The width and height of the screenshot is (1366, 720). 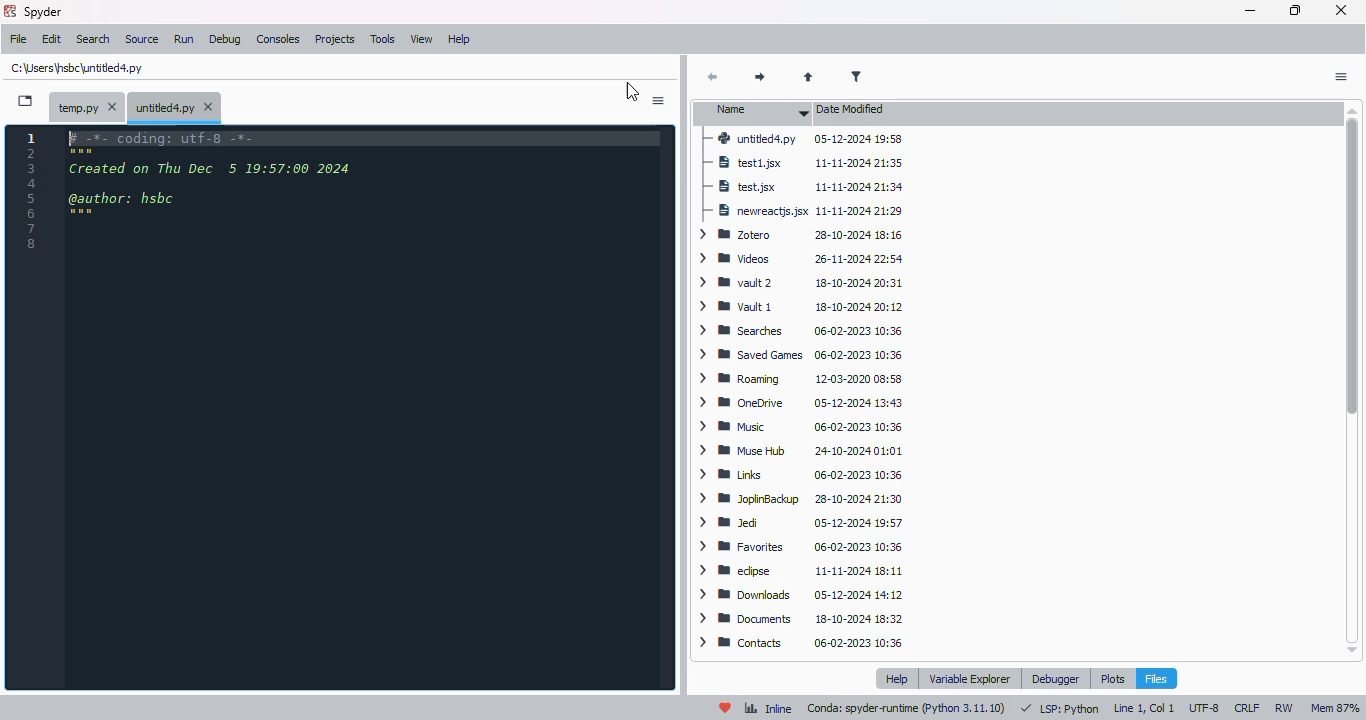 What do you see at coordinates (754, 112) in the screenshot?
I see `name` at bounding box center [754, 112].